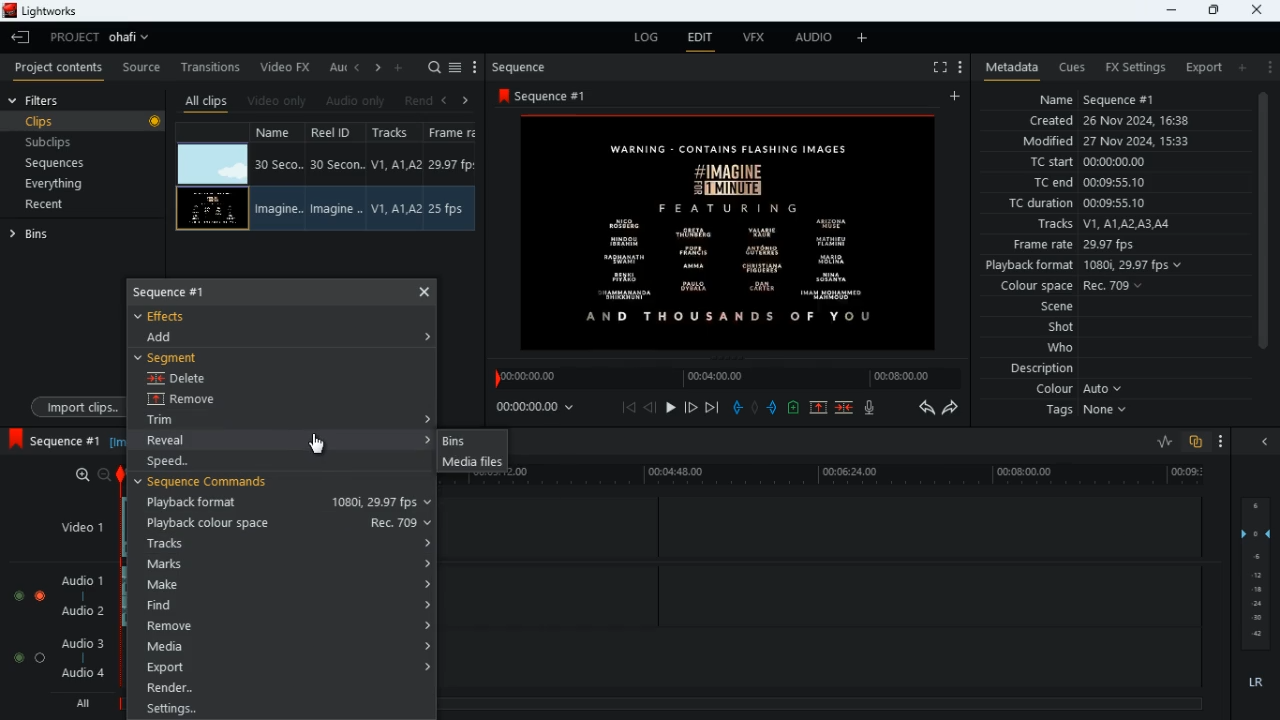 Image resolution: width=1280 pixels, height=720 pixels. What do you see at coordinates (282, 690) in the screenshot?
I see `render` at bounding box center [282, 690].